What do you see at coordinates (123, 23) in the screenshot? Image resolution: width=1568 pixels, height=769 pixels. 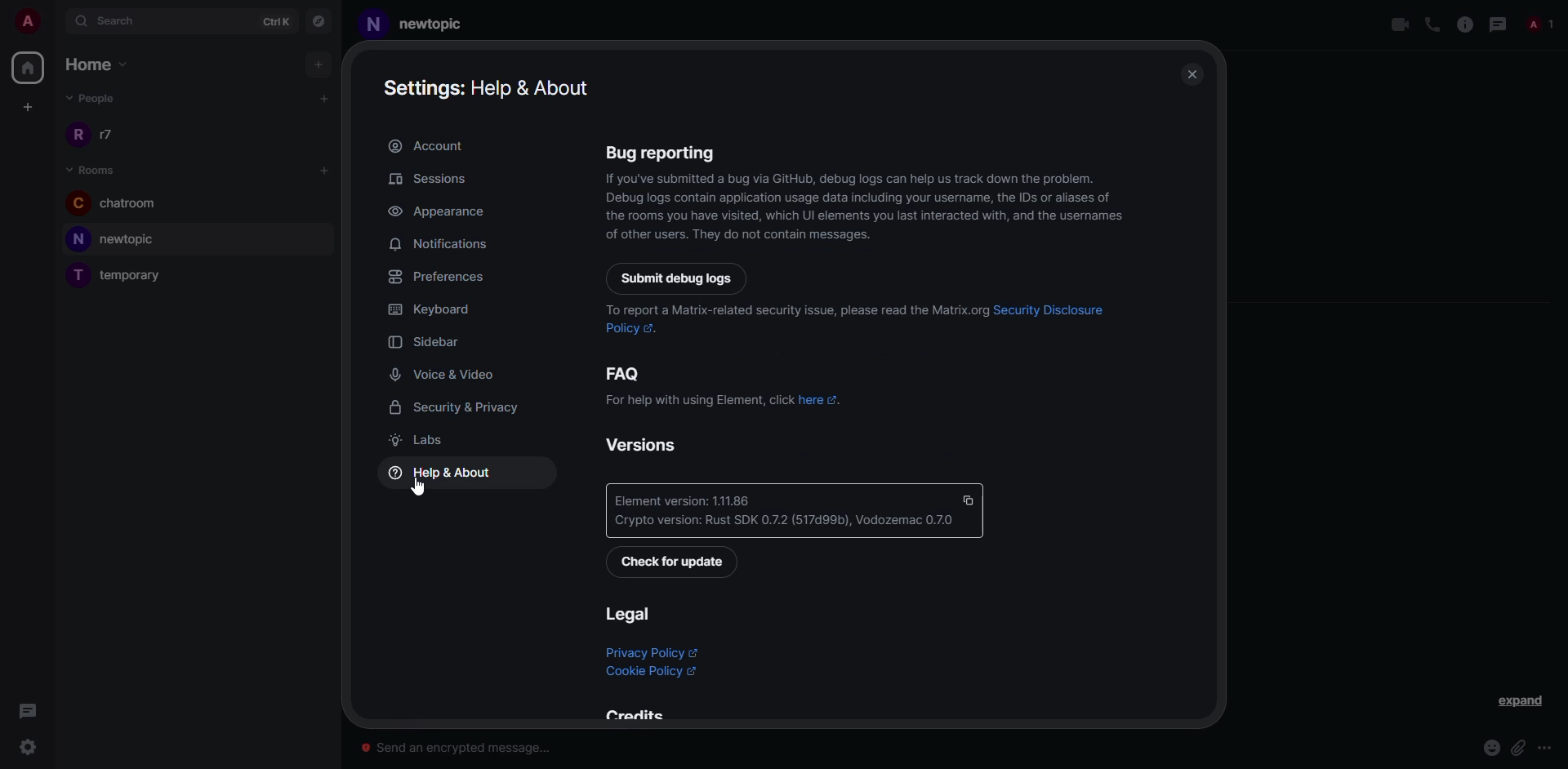 I see `search` at bounding box center [123, 23].